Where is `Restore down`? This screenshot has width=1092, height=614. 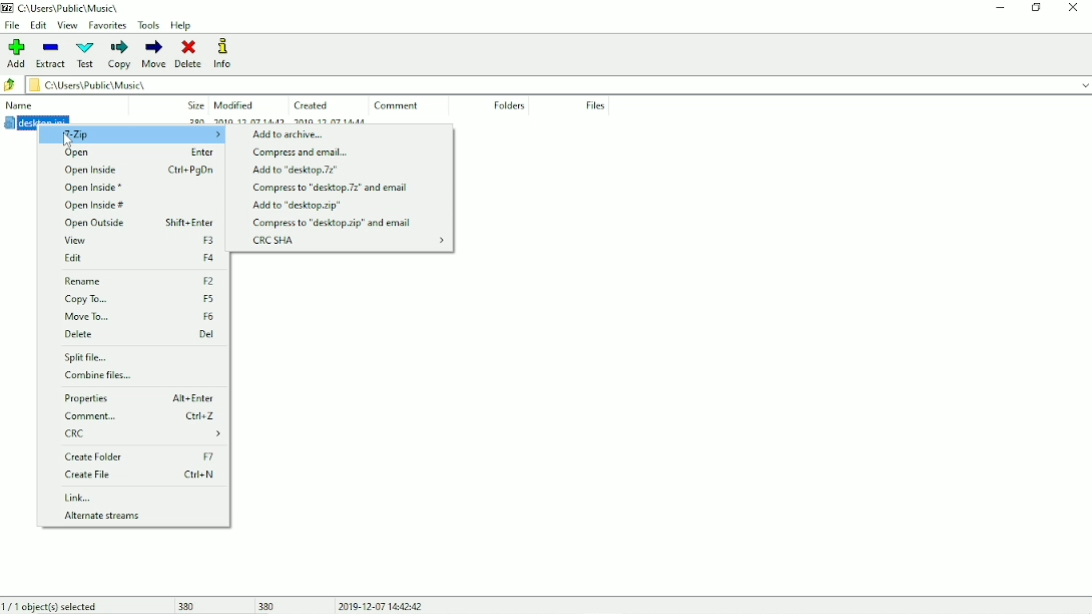 Restore down is located at coordinates (1035, 8).